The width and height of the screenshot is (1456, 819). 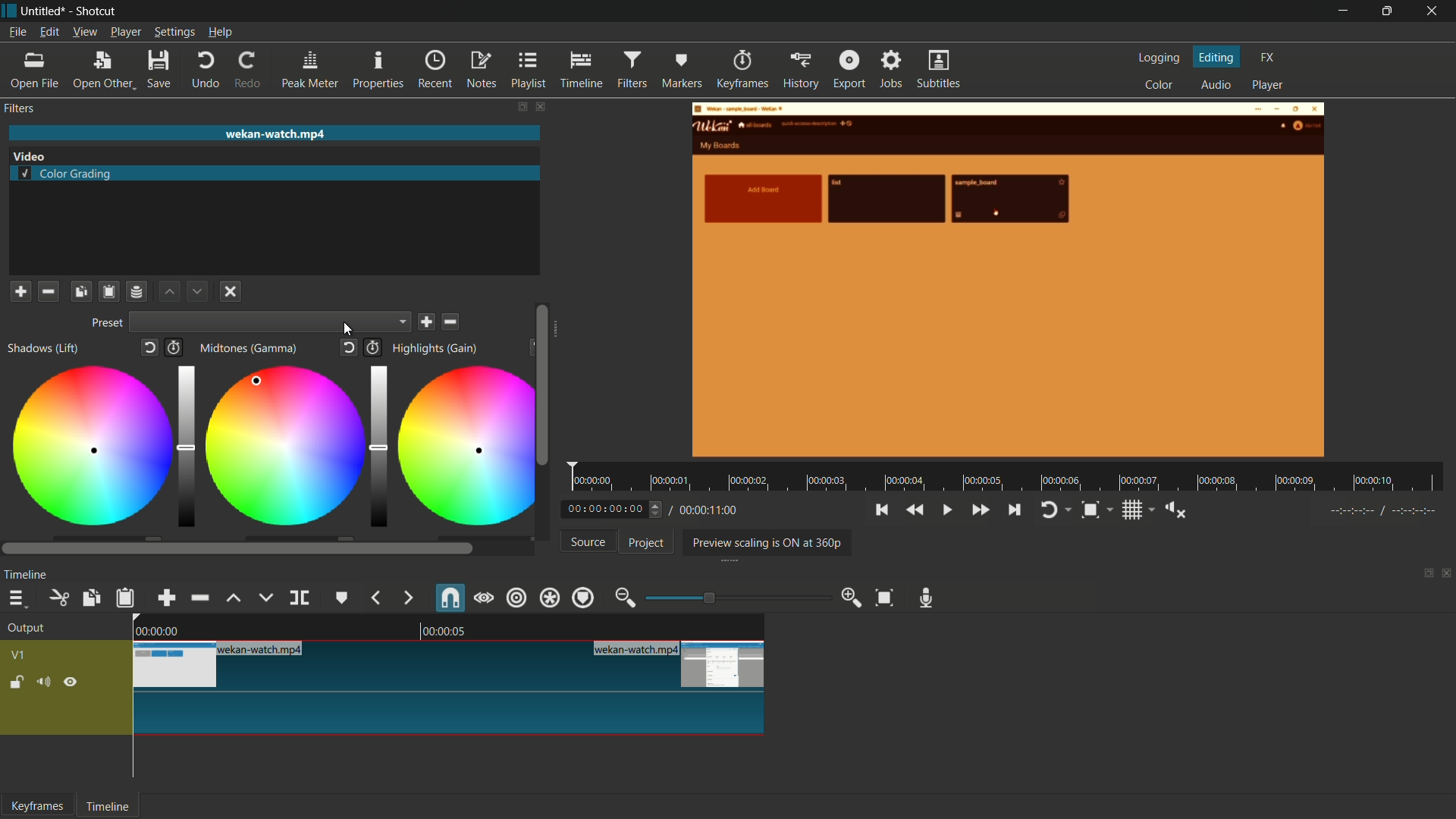 What do you see at coordinates (20, 291) in the screenshot?
I see `add a filter` at bounding box center [20, 291].